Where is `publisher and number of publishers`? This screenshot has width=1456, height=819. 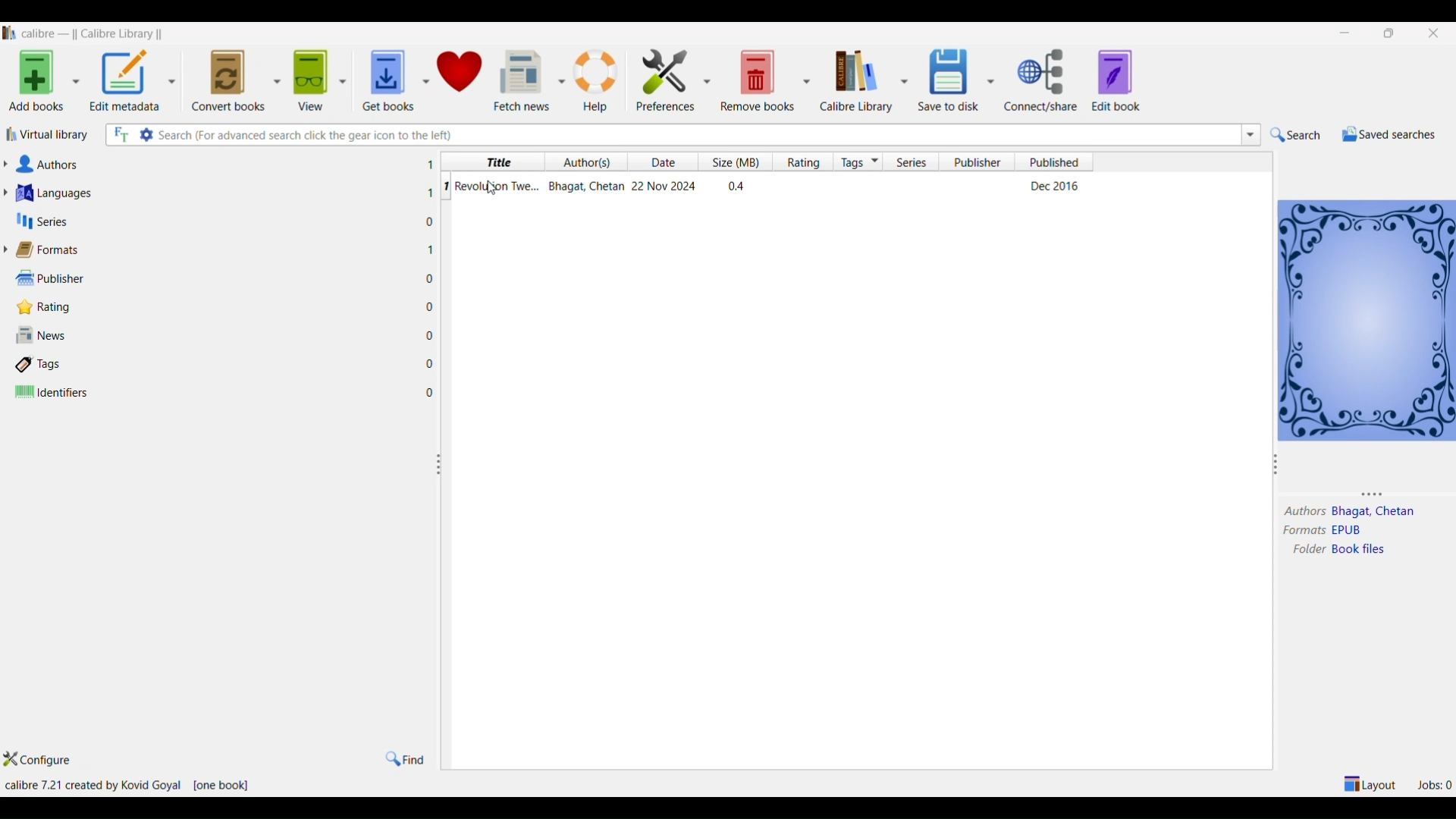 publisher and number of publishers is located at coordinates (52, 278).